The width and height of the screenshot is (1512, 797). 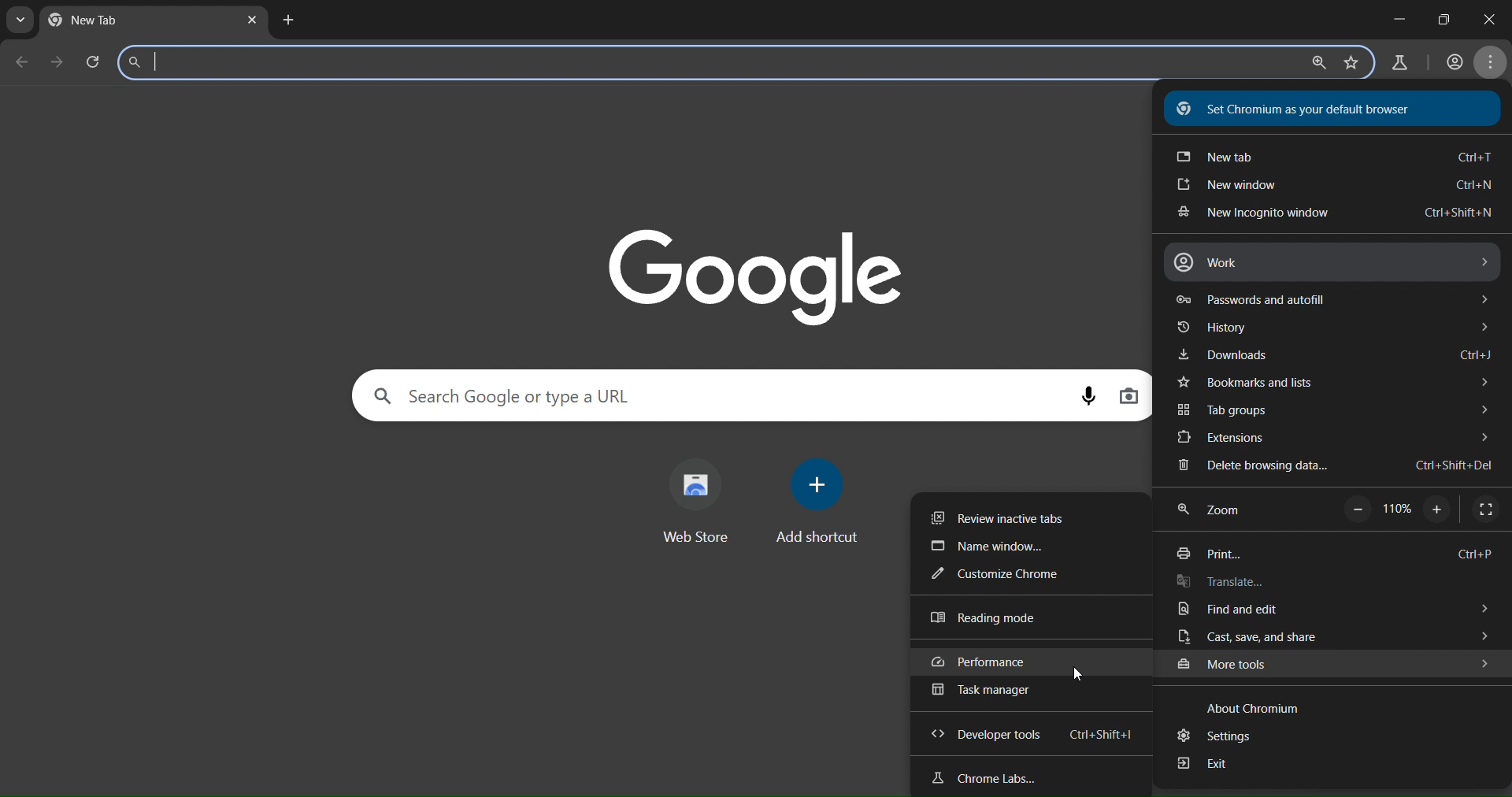 I want to click on zoom out, so click(x=1356, y=510).